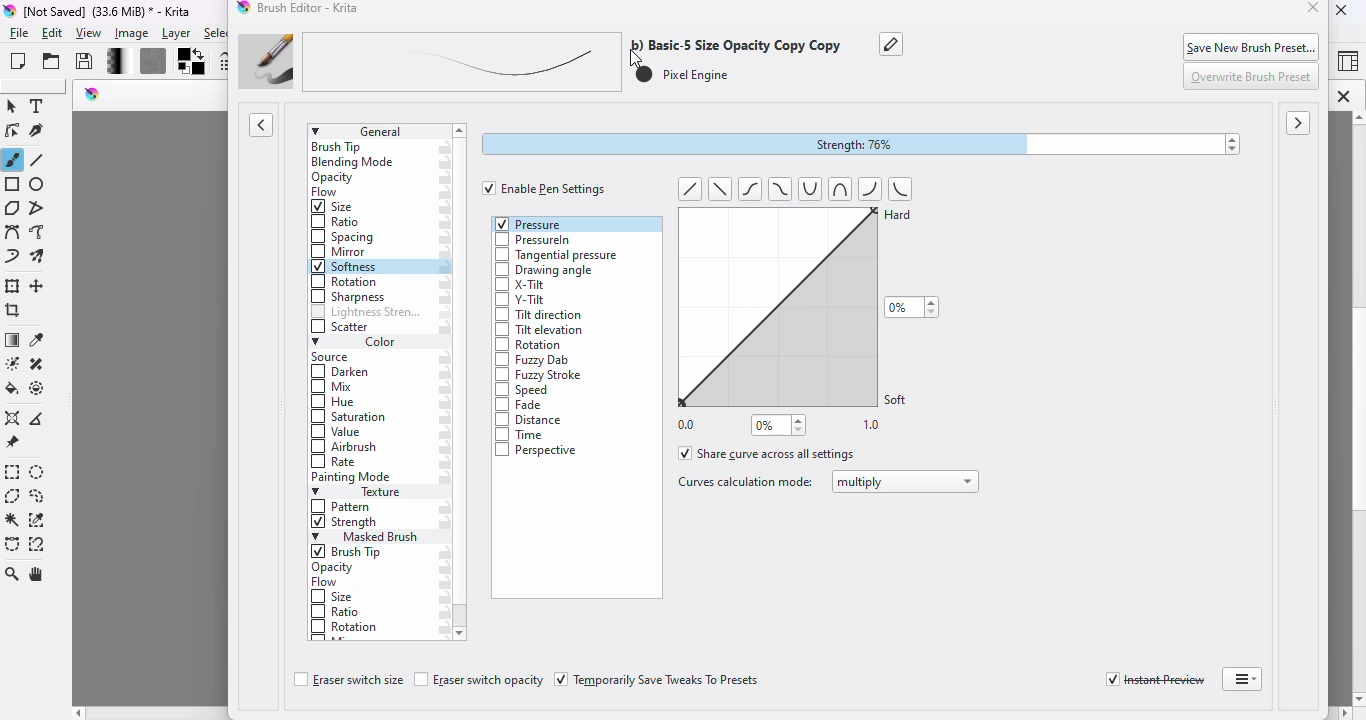 Image resolution: width=1366 pixels, height=720 pixels. Describe the element at coordinates (38, 232) in the screenshot. I see `freehand path tool` at that location.